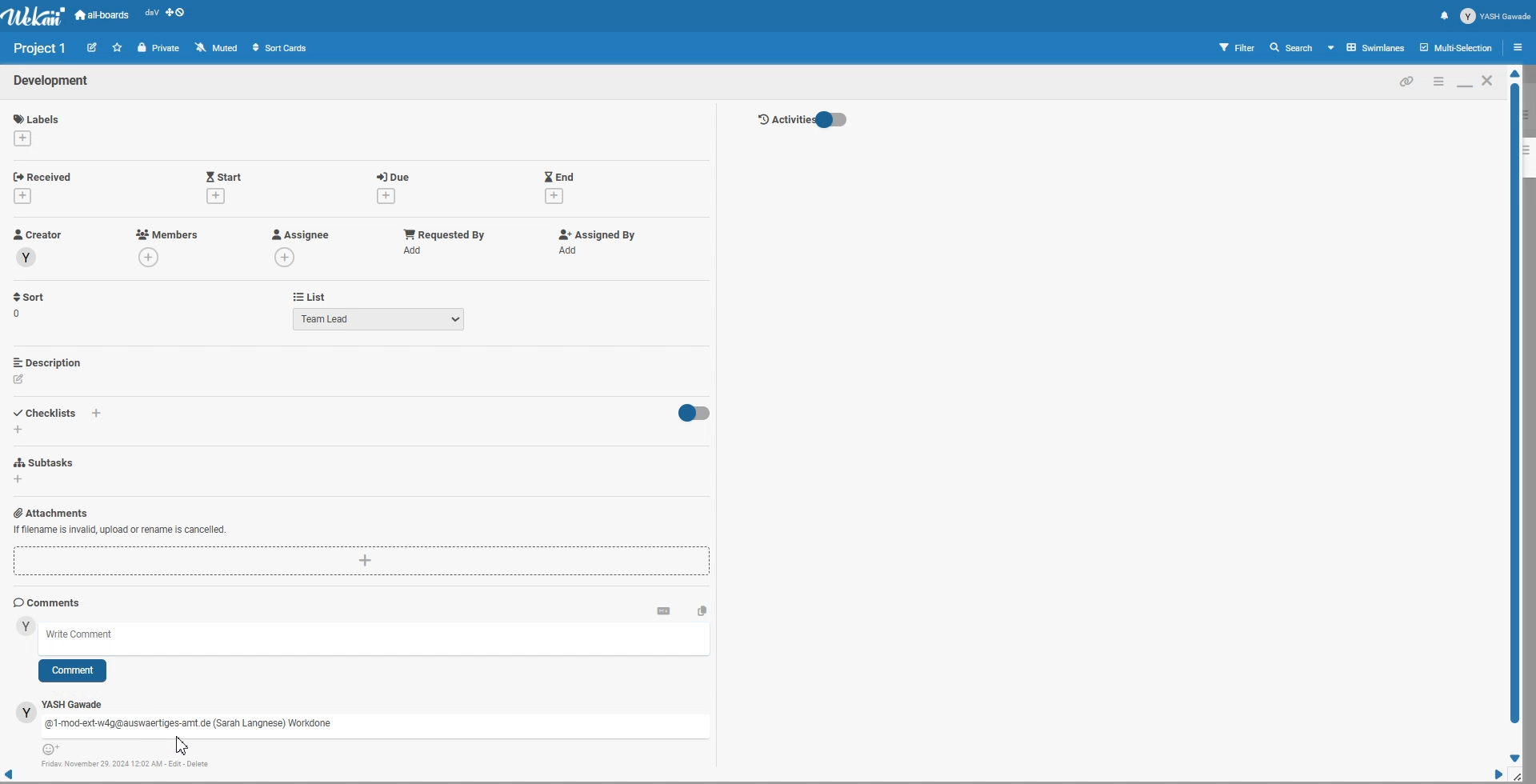 The image size is (1536, 784). I want to click on Add Attachments, so click(50, 512).